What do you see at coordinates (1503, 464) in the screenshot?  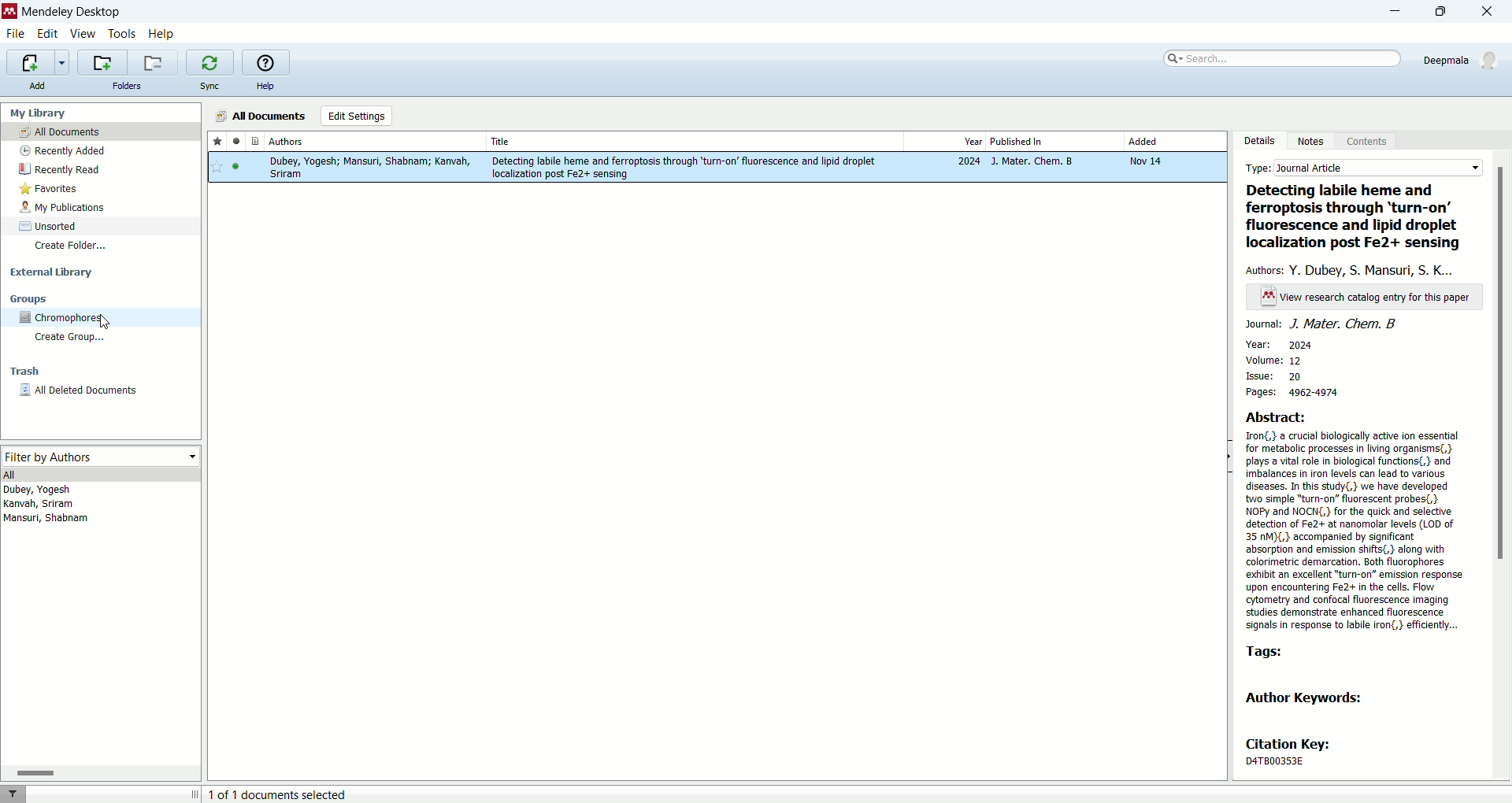 I see `vertical scroll bar` at bounding box center [1503, 464].